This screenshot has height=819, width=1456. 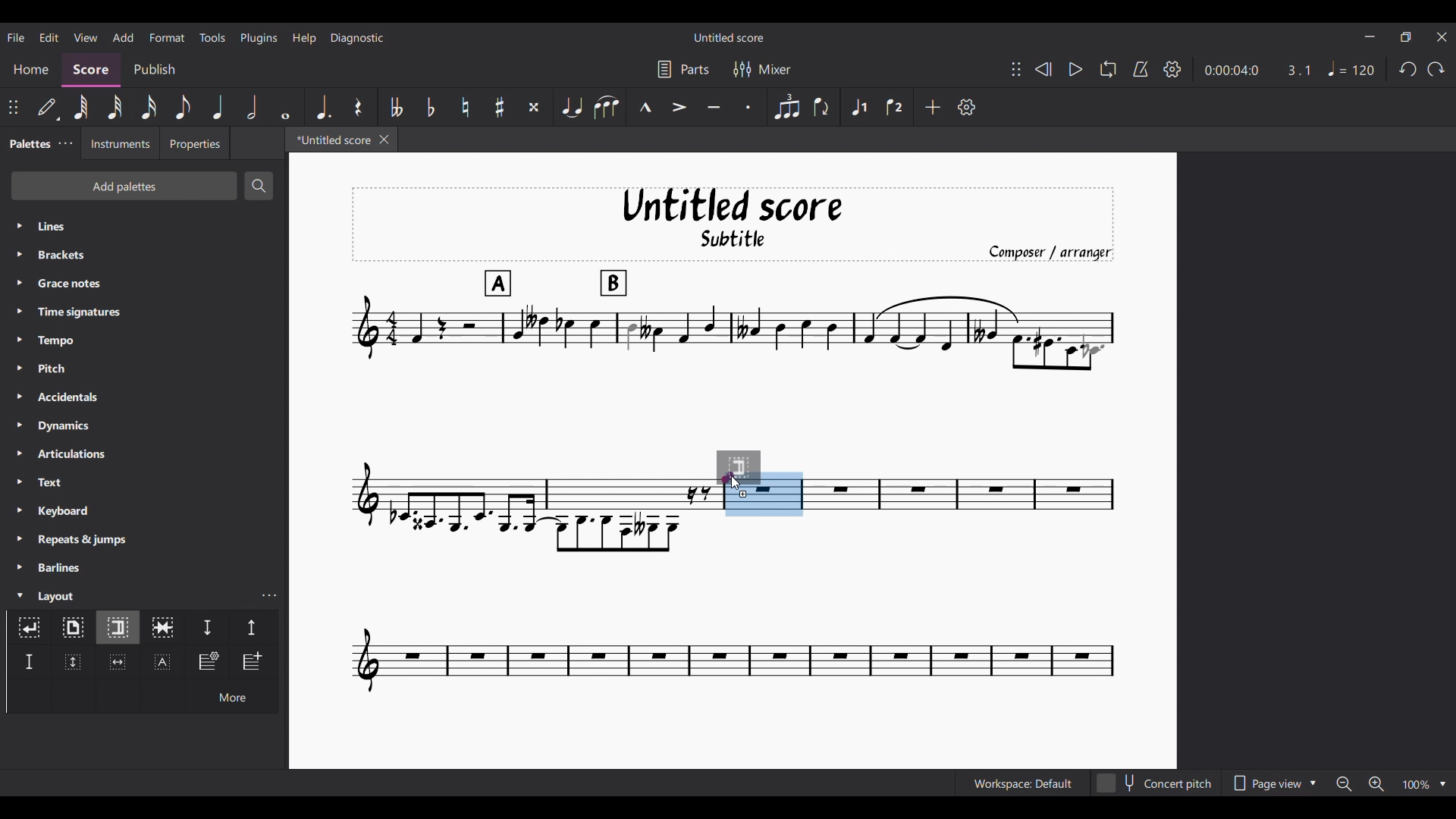 I want to click on Toggle double sharp, so click(x=534, y=107).